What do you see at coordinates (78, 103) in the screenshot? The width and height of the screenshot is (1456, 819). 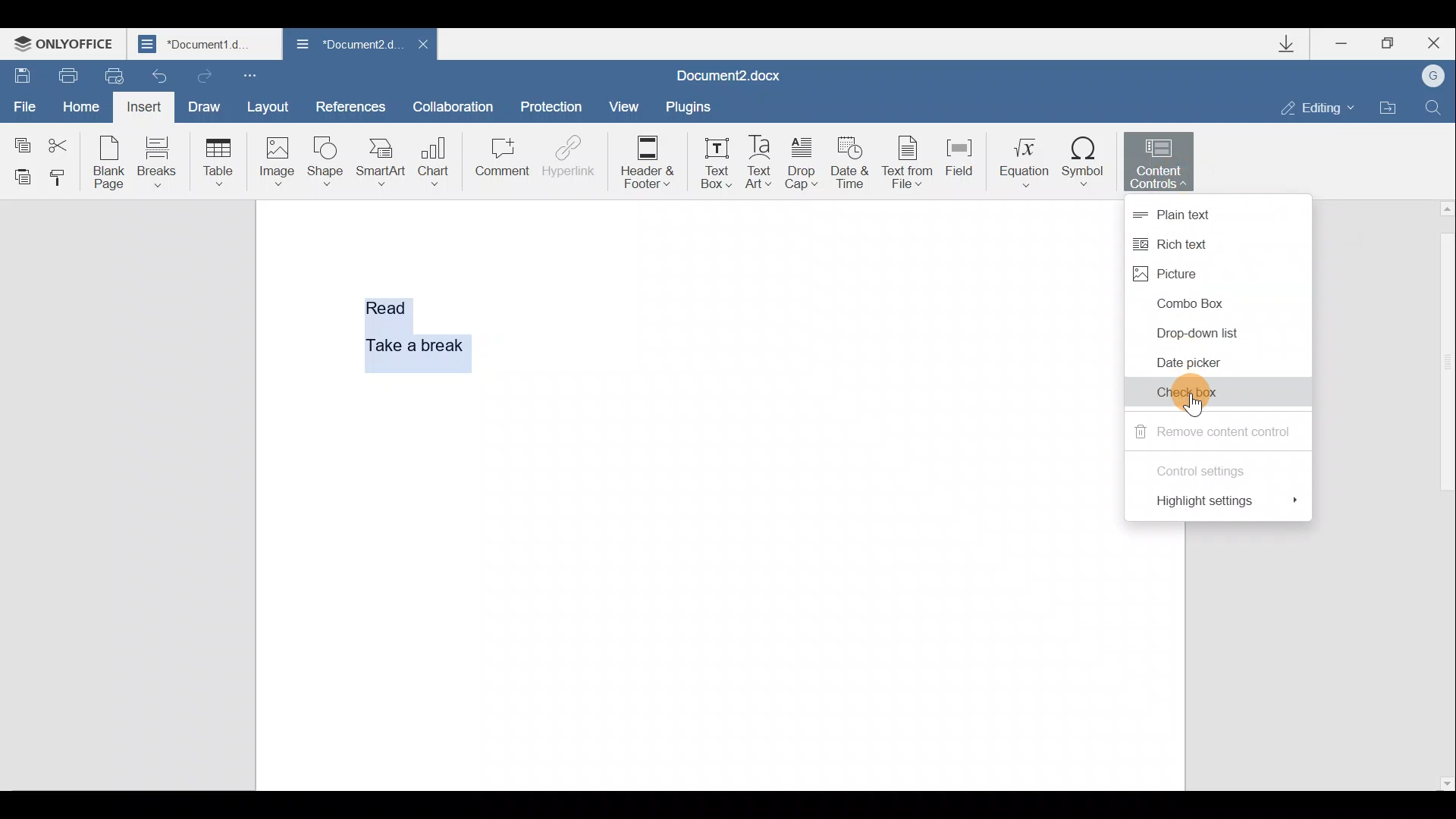 I see `Home` at bounding box center [78, 103].